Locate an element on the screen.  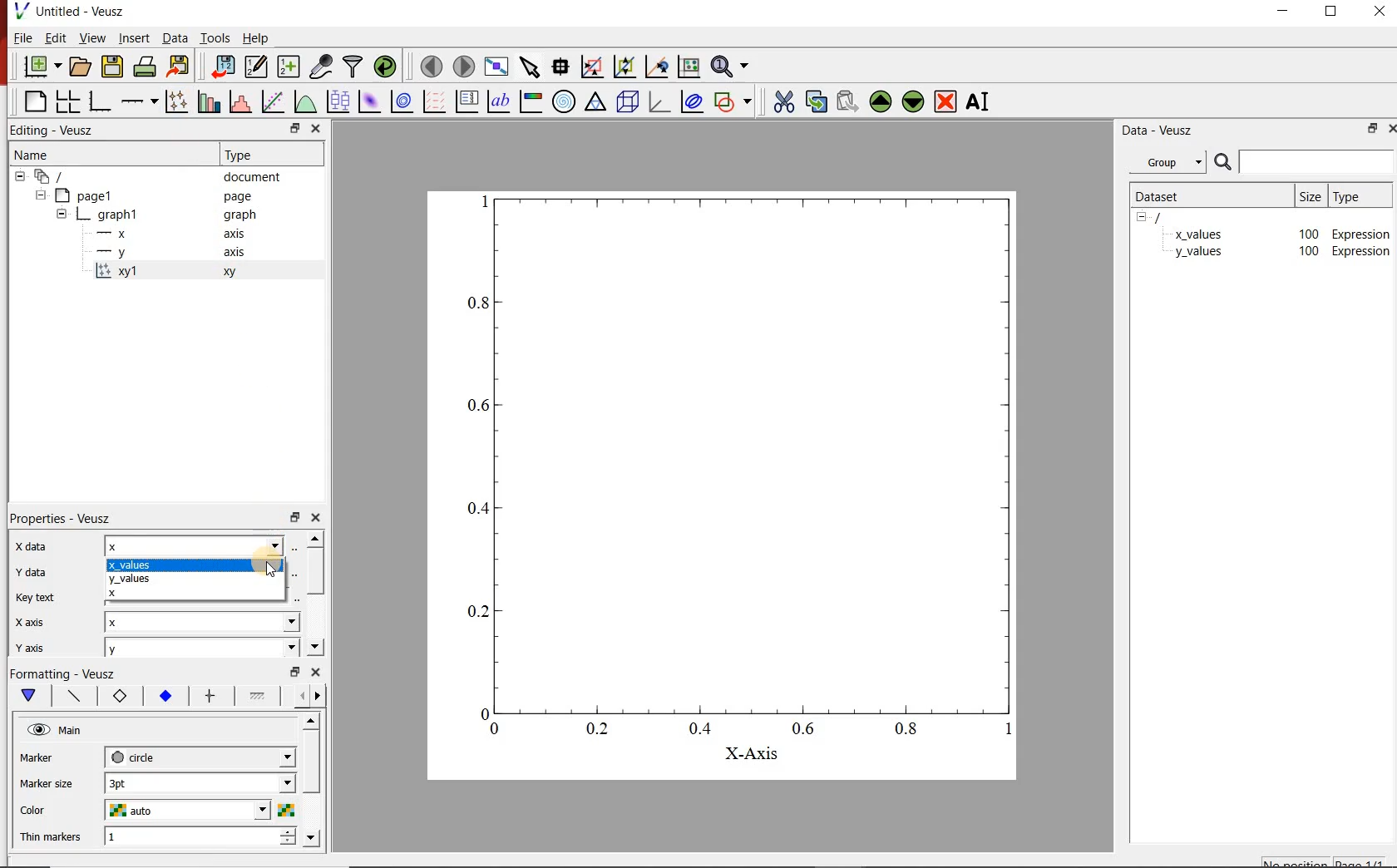
3pt is located at coordinates (200, 782).